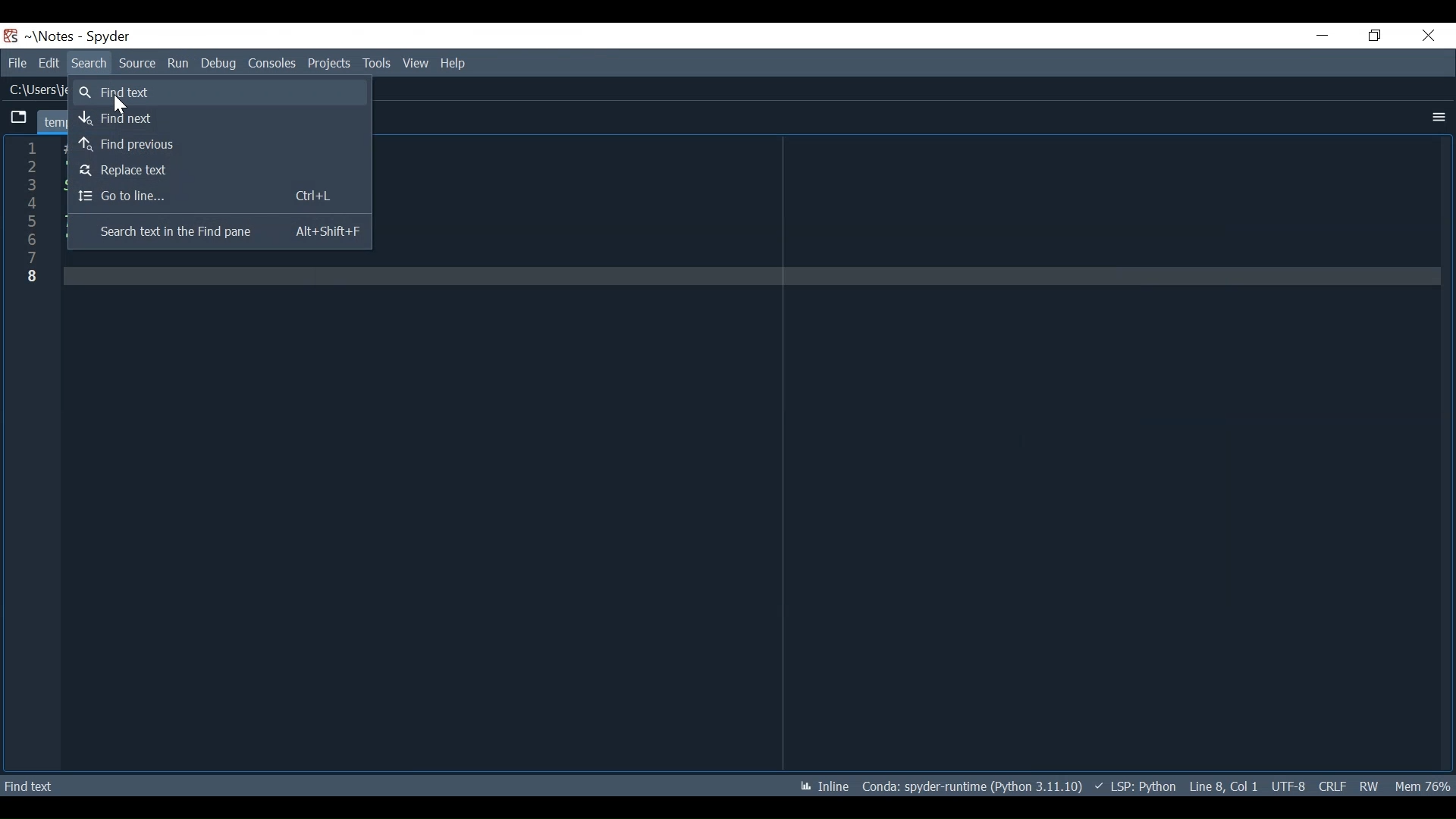 This screenshot has height=819, width=1456. What do you see at coordinates (223, 233) in the screenshot?
I see `Search Text in the Find Pane` at bounding box center [223, 233].